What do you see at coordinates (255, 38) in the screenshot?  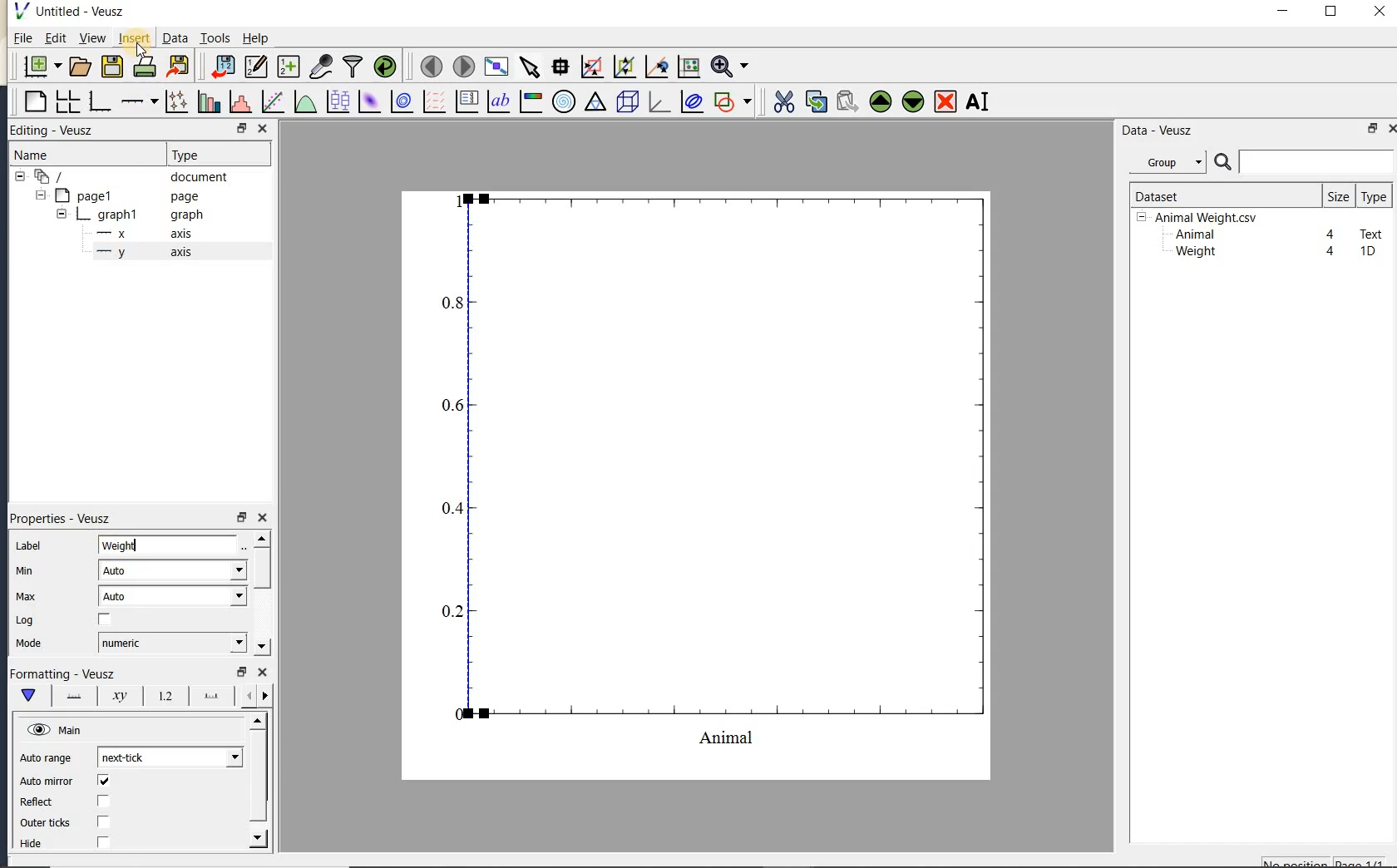 I see `Help` at bounding box center [255, 38].